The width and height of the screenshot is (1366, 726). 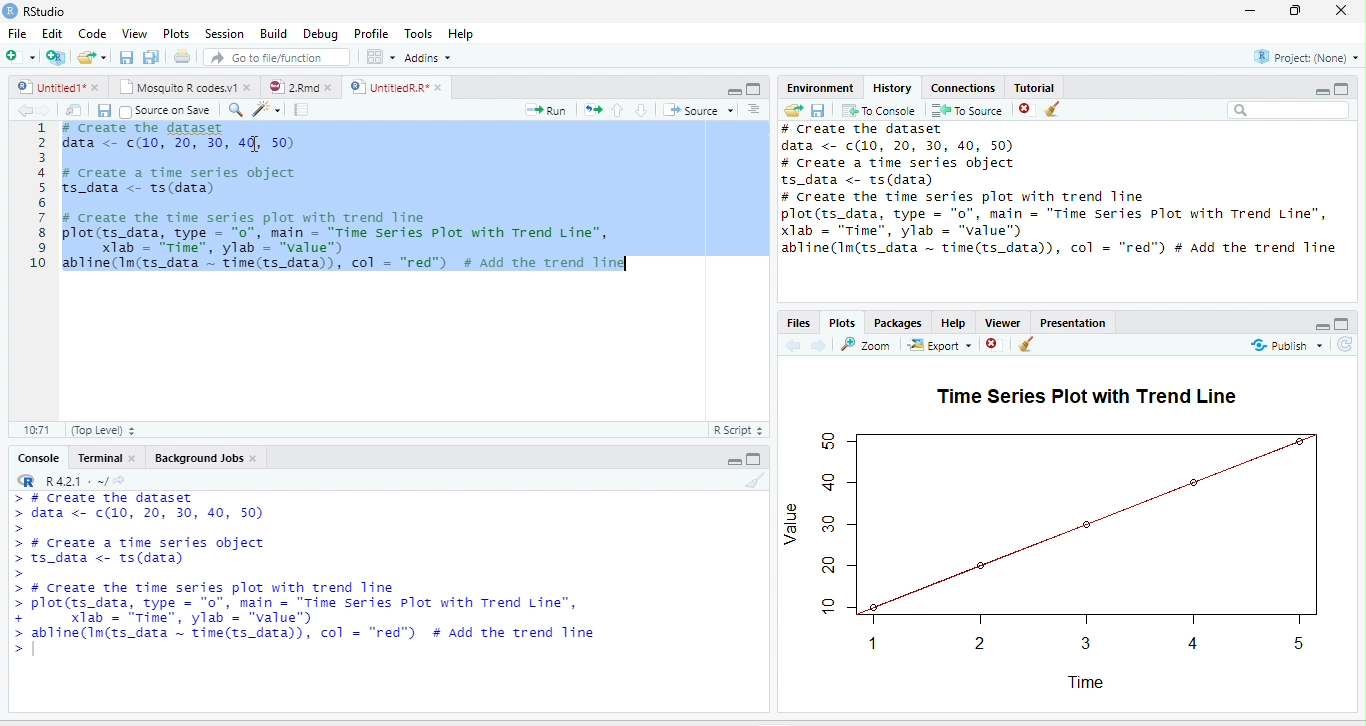 I want to click on Files, so click(x=799, y=323).